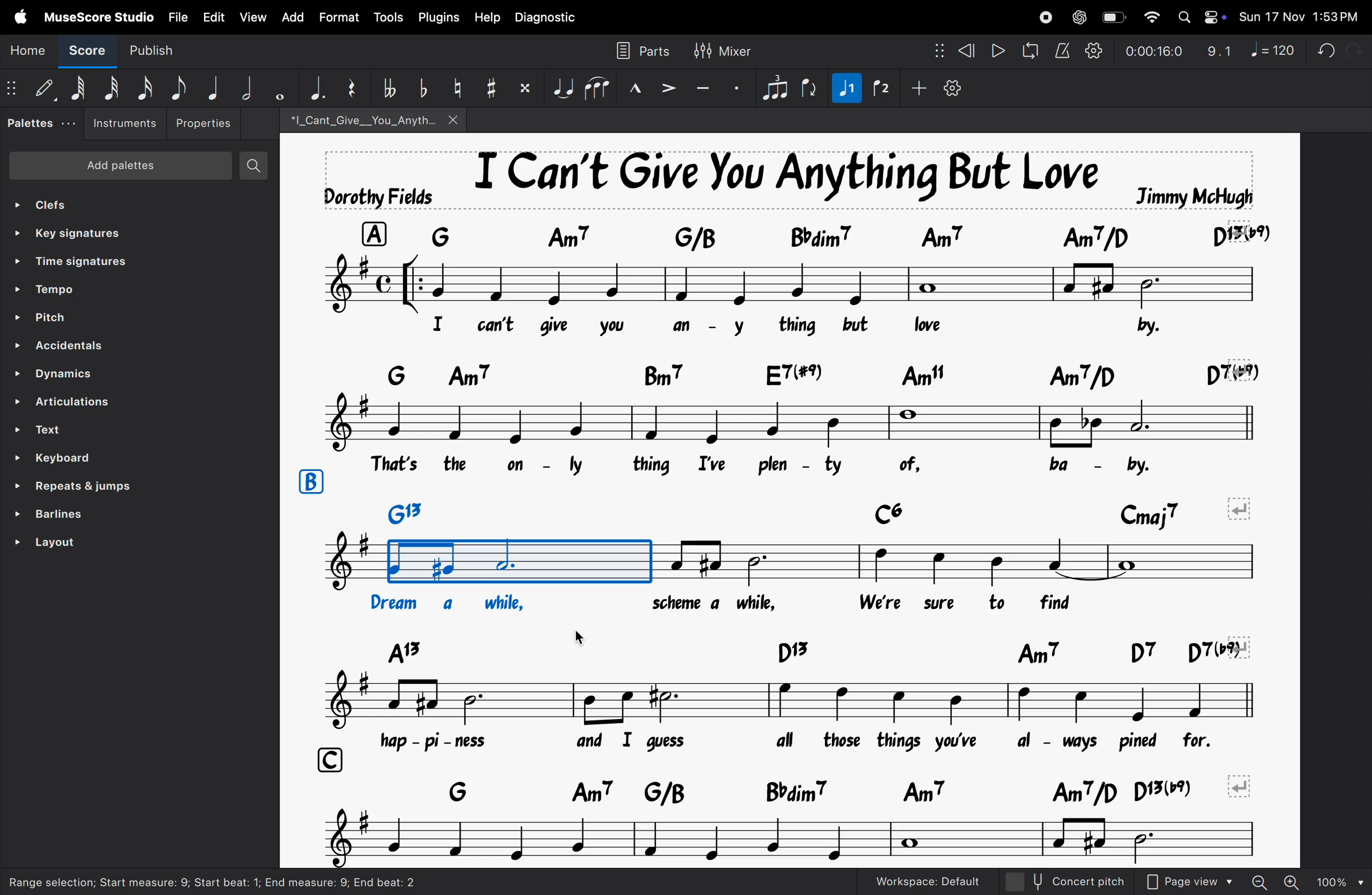 This screenshot has height=895, width=1372. What do you see at coordinates (385, 18) in the screenshot?
I see `tools` at bounding box center [385, 18].